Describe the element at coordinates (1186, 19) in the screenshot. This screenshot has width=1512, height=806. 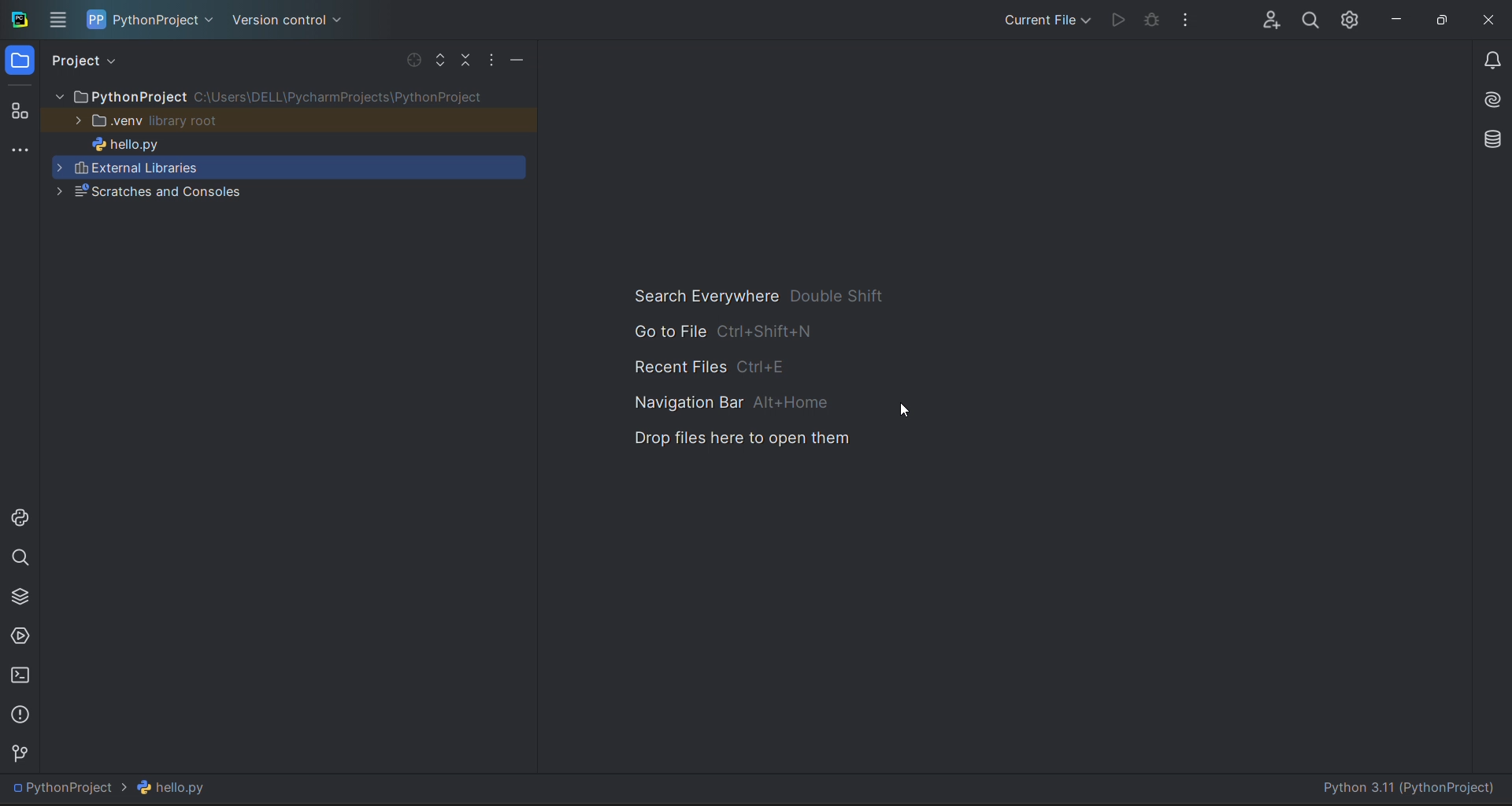
I see `options` at that location.